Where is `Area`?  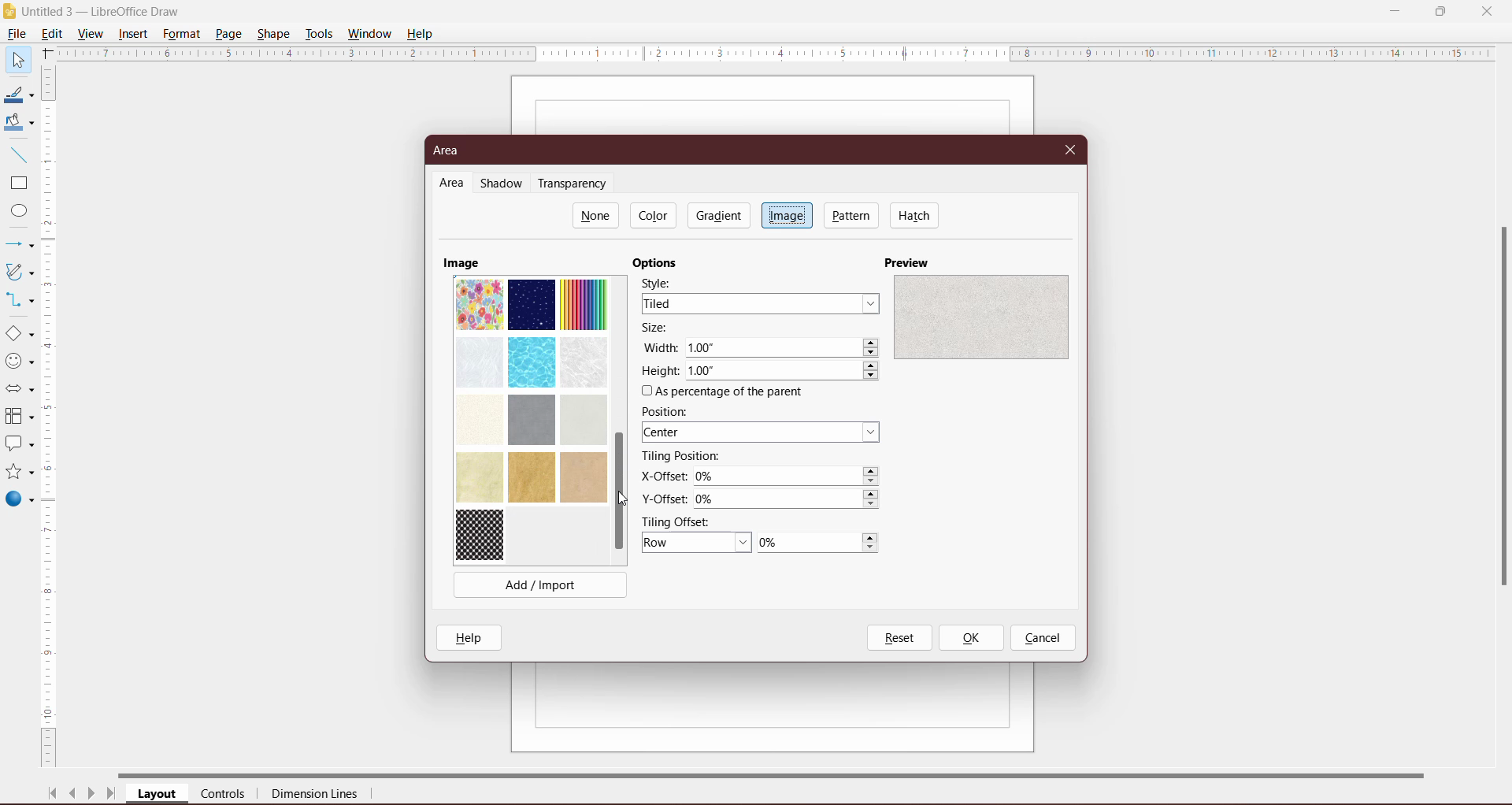
Area is located at coordinates (452, 184).